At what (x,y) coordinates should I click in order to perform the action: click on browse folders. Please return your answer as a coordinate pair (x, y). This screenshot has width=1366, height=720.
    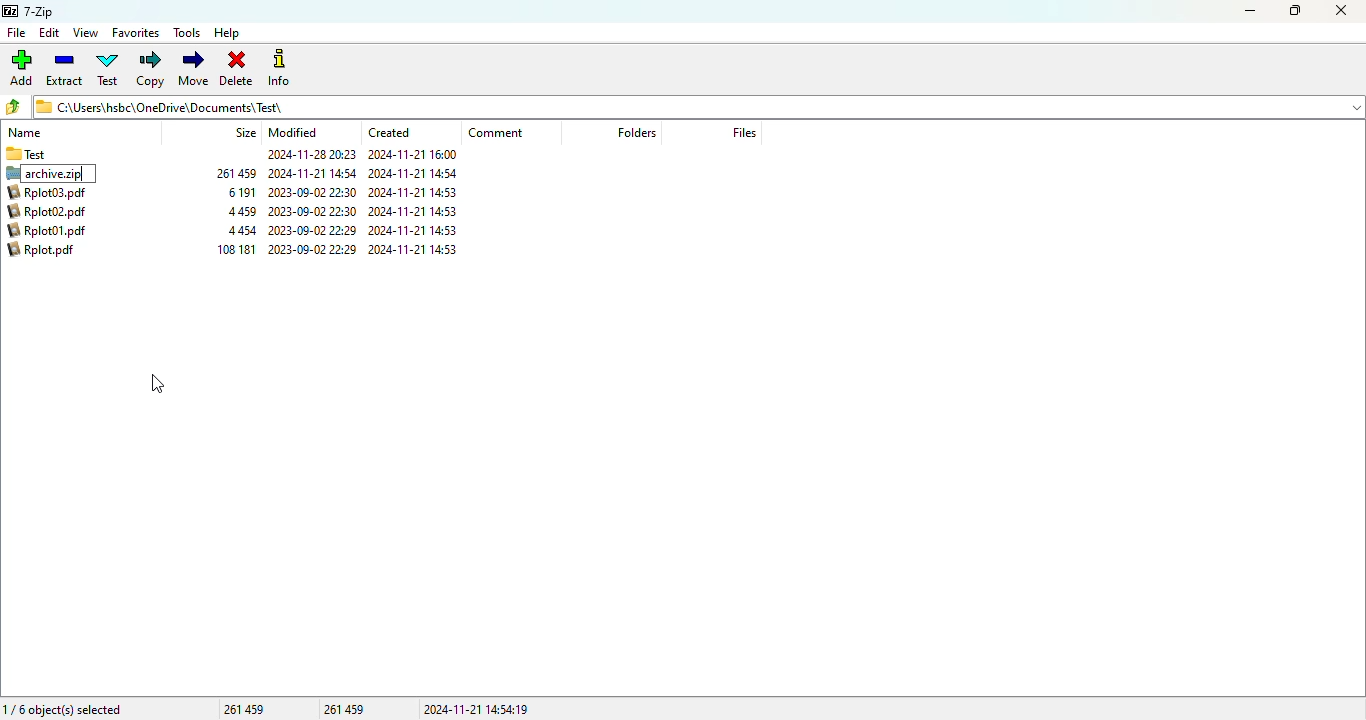
    Looking at the image, I should click on (14, 107).